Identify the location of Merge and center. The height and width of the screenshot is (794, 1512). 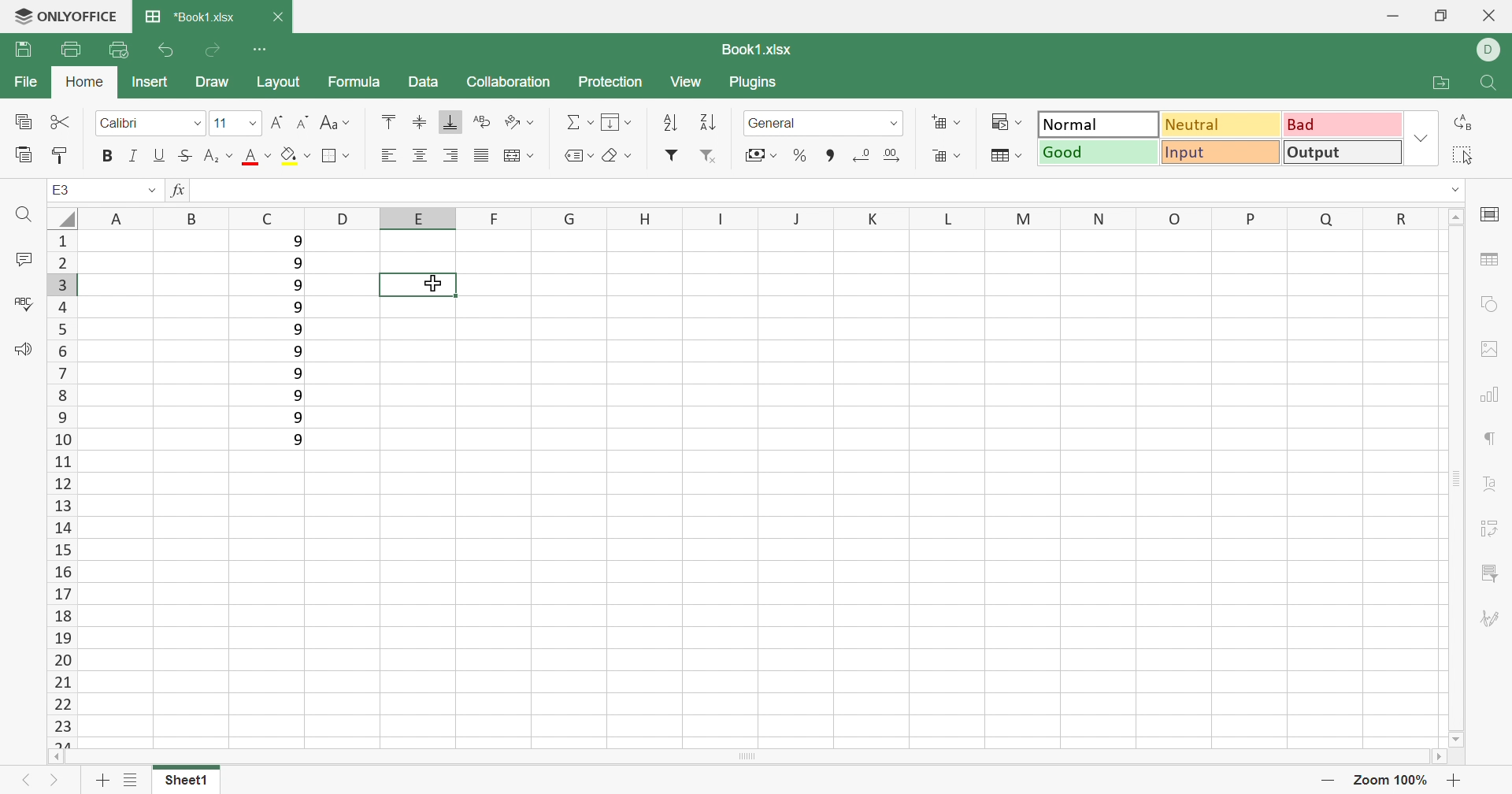
(521, 155).